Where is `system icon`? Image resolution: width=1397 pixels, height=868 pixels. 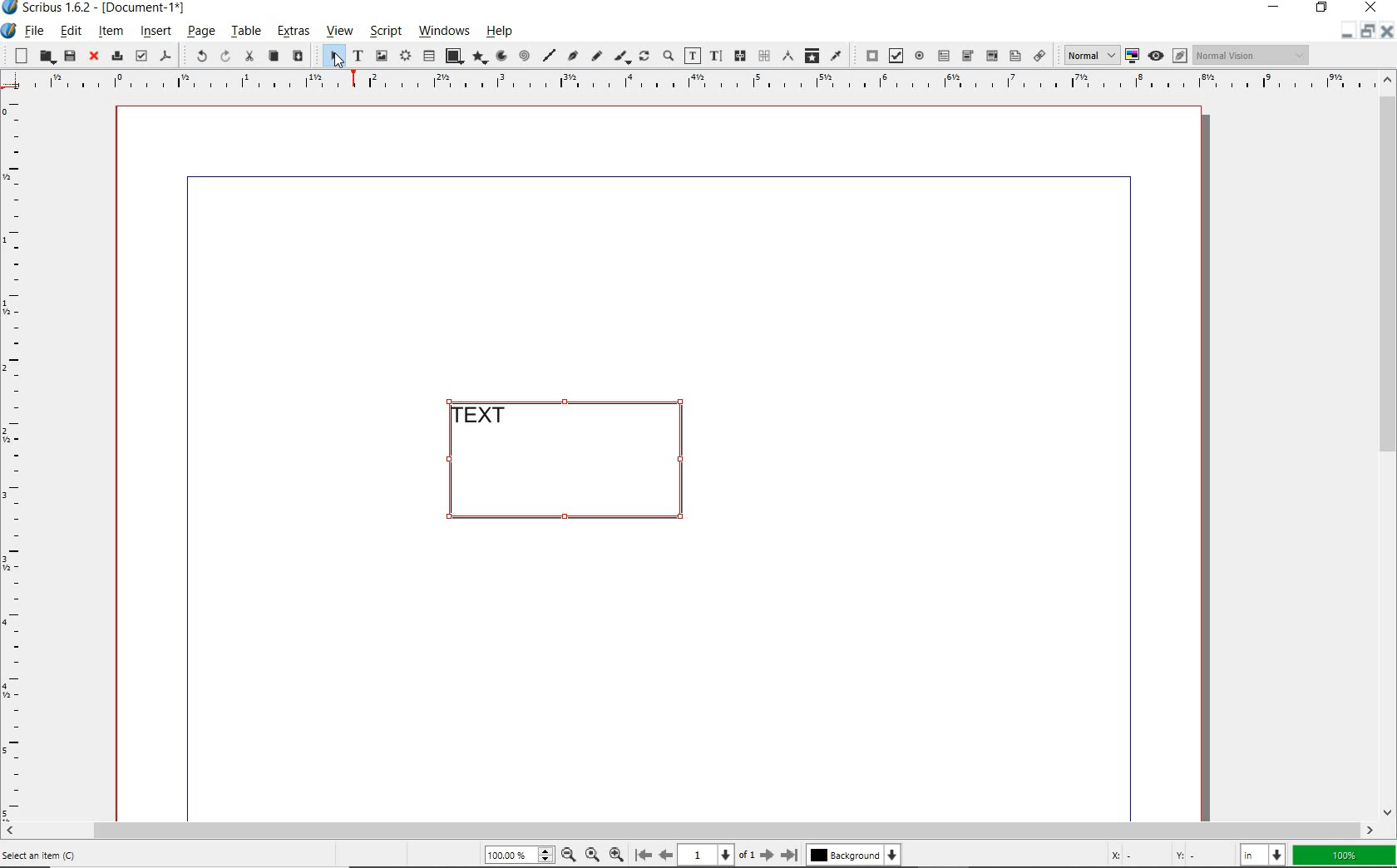
system icon is located at coordinates (7, 31).